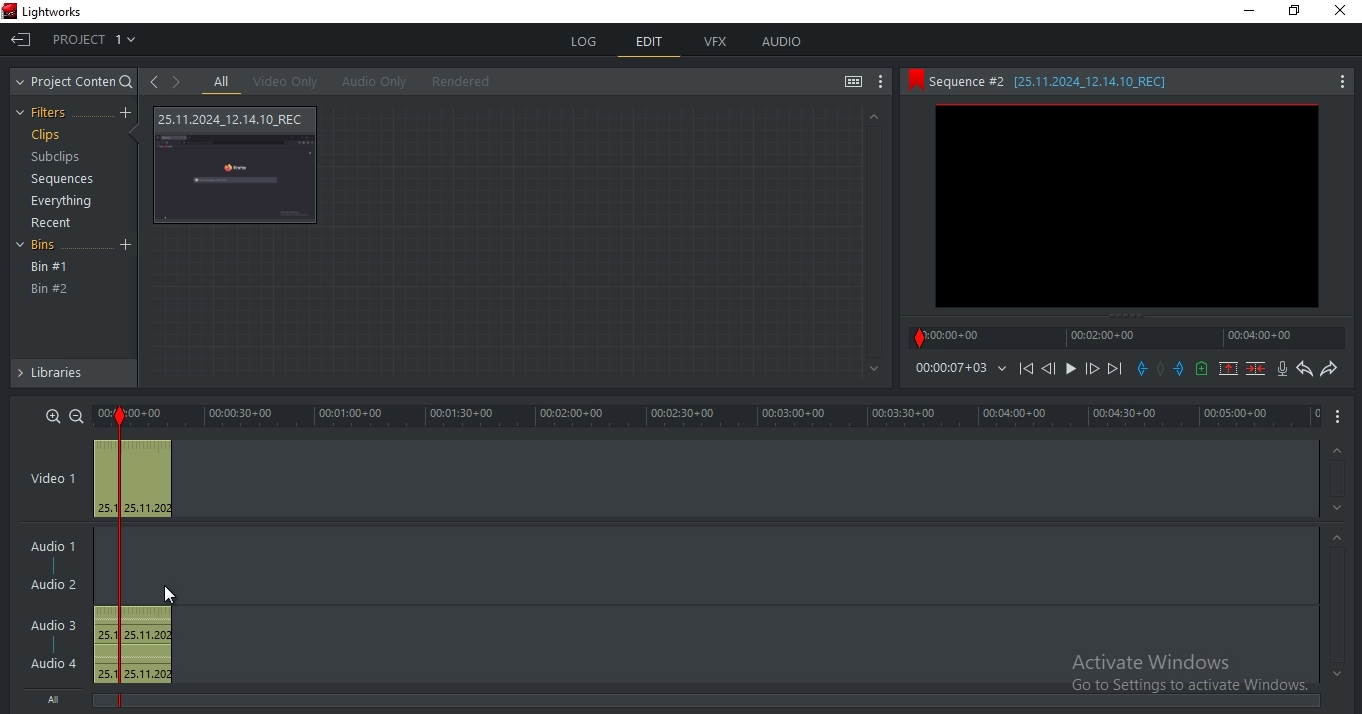 The height and width of the screenshot is (714, 1362). I want to click on go to previous viewed clip, so click(153, 81).